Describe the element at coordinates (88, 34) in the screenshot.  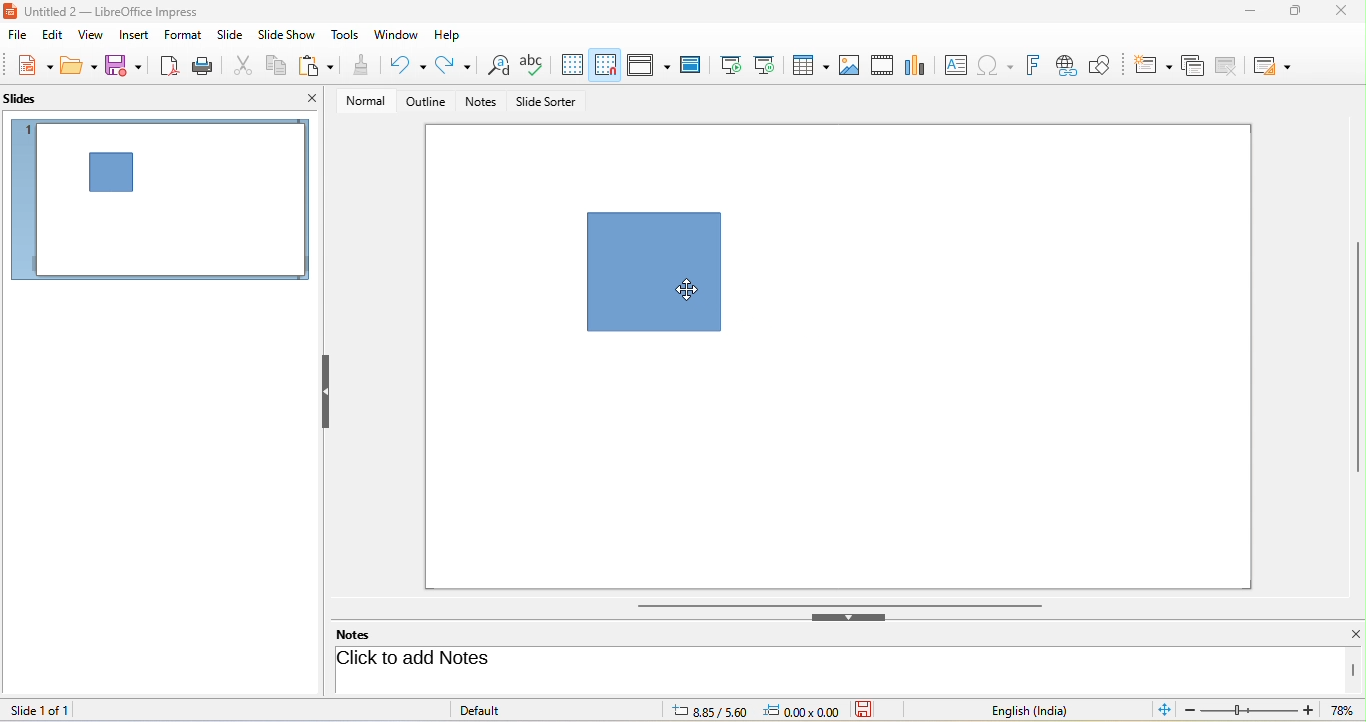
I see `view` at that location.